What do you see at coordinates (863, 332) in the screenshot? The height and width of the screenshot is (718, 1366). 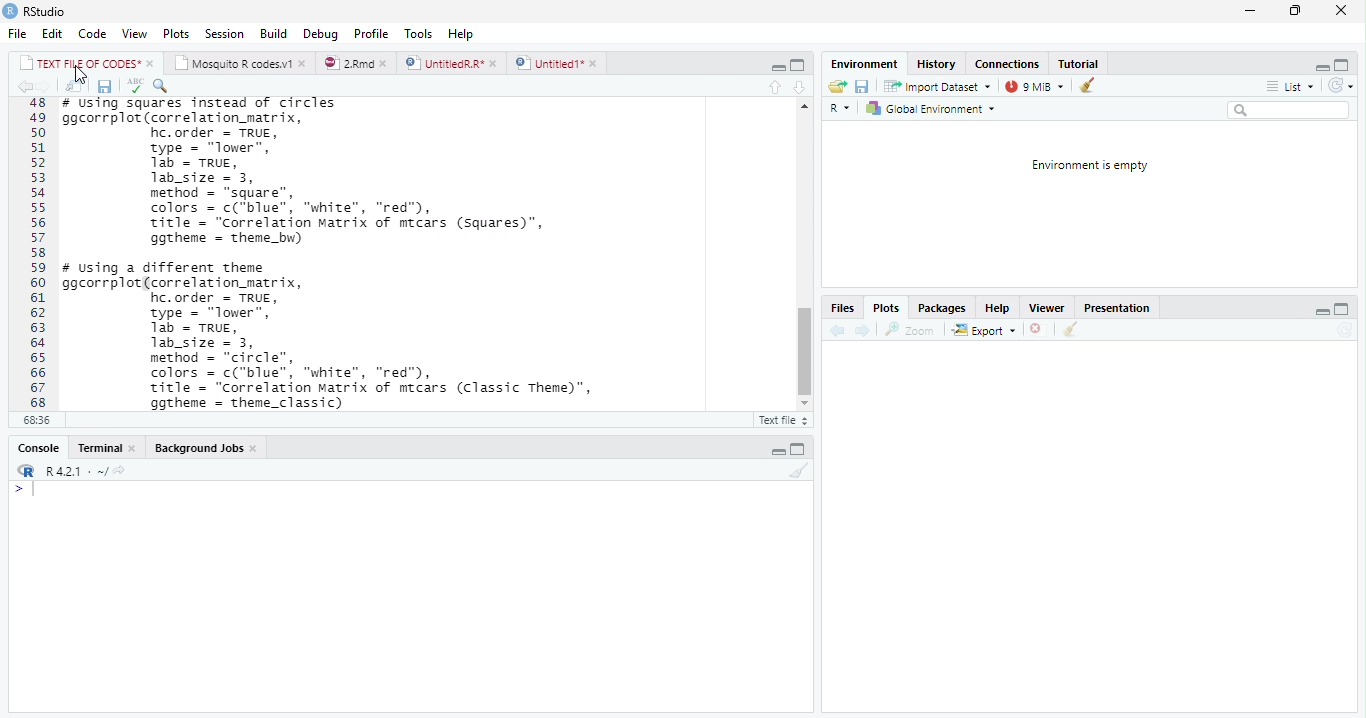 I see `go forward` at bounding box center [863, 332].